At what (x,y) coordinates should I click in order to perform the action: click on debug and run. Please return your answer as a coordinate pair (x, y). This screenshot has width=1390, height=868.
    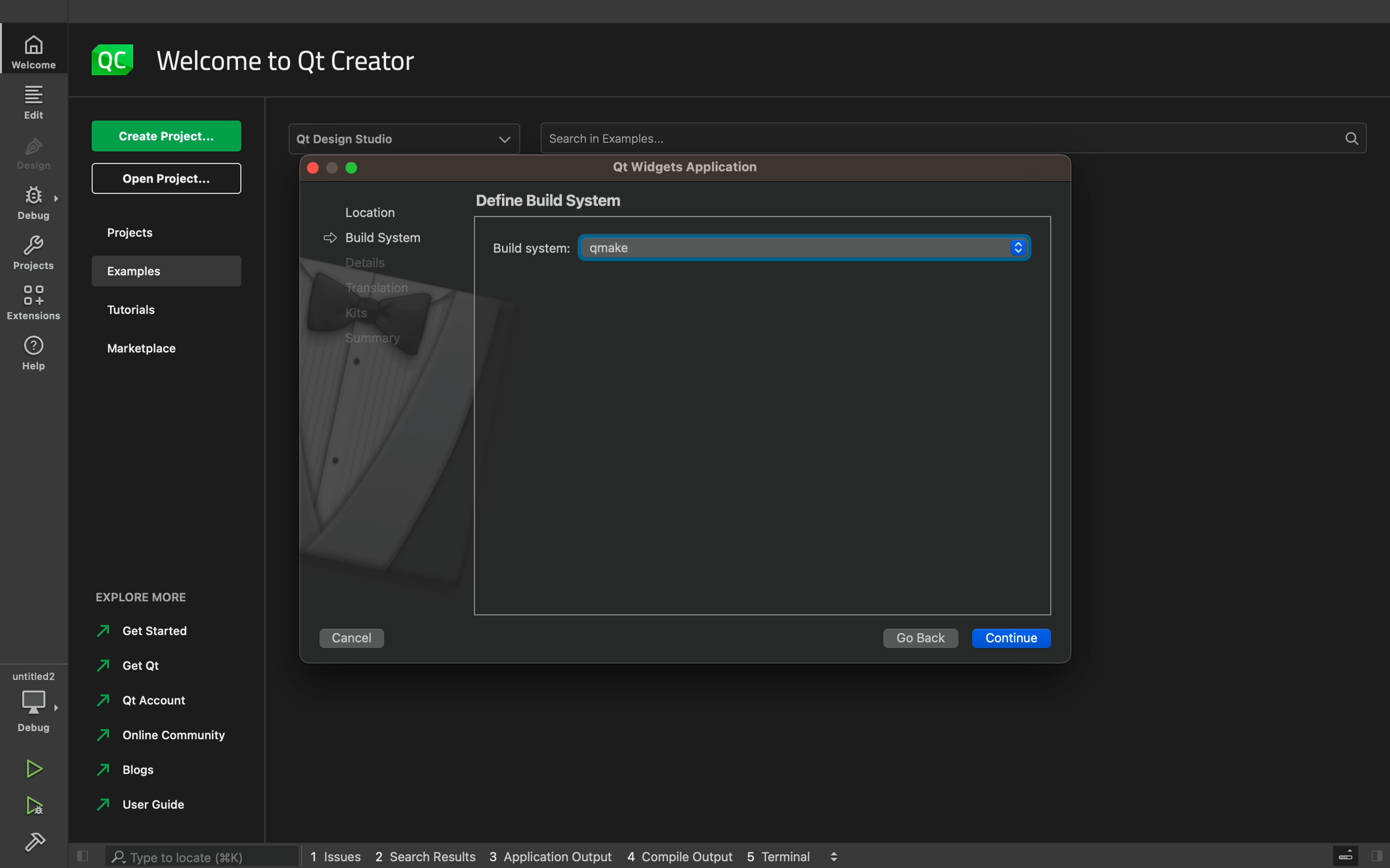
    Looking at the image, I should click on (34, 805).